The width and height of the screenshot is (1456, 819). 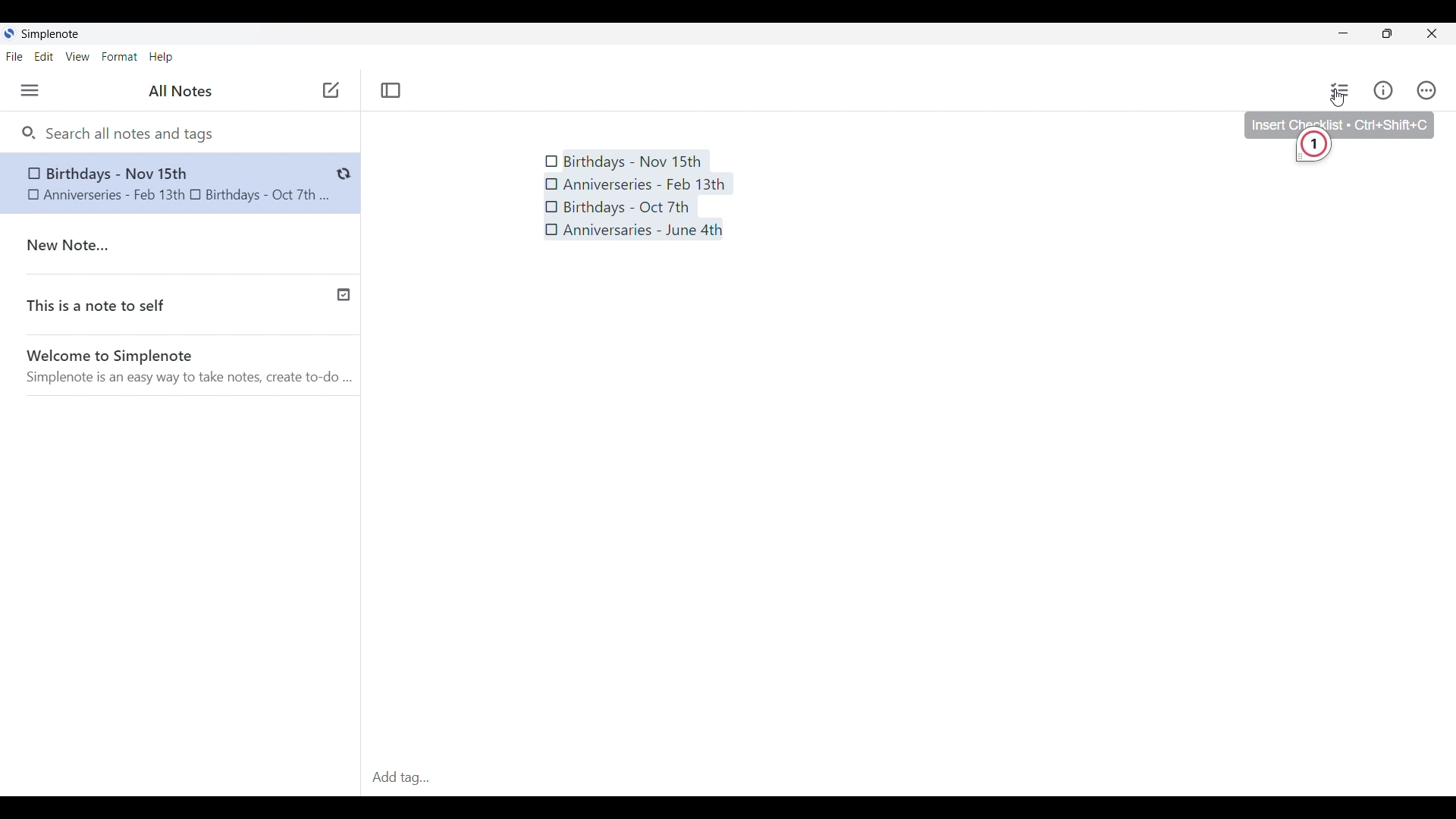 What do you see at coordinates (639, 195) in the screenshot?
I see `Selected text converted into checklist` at bounding box center [639, 195].